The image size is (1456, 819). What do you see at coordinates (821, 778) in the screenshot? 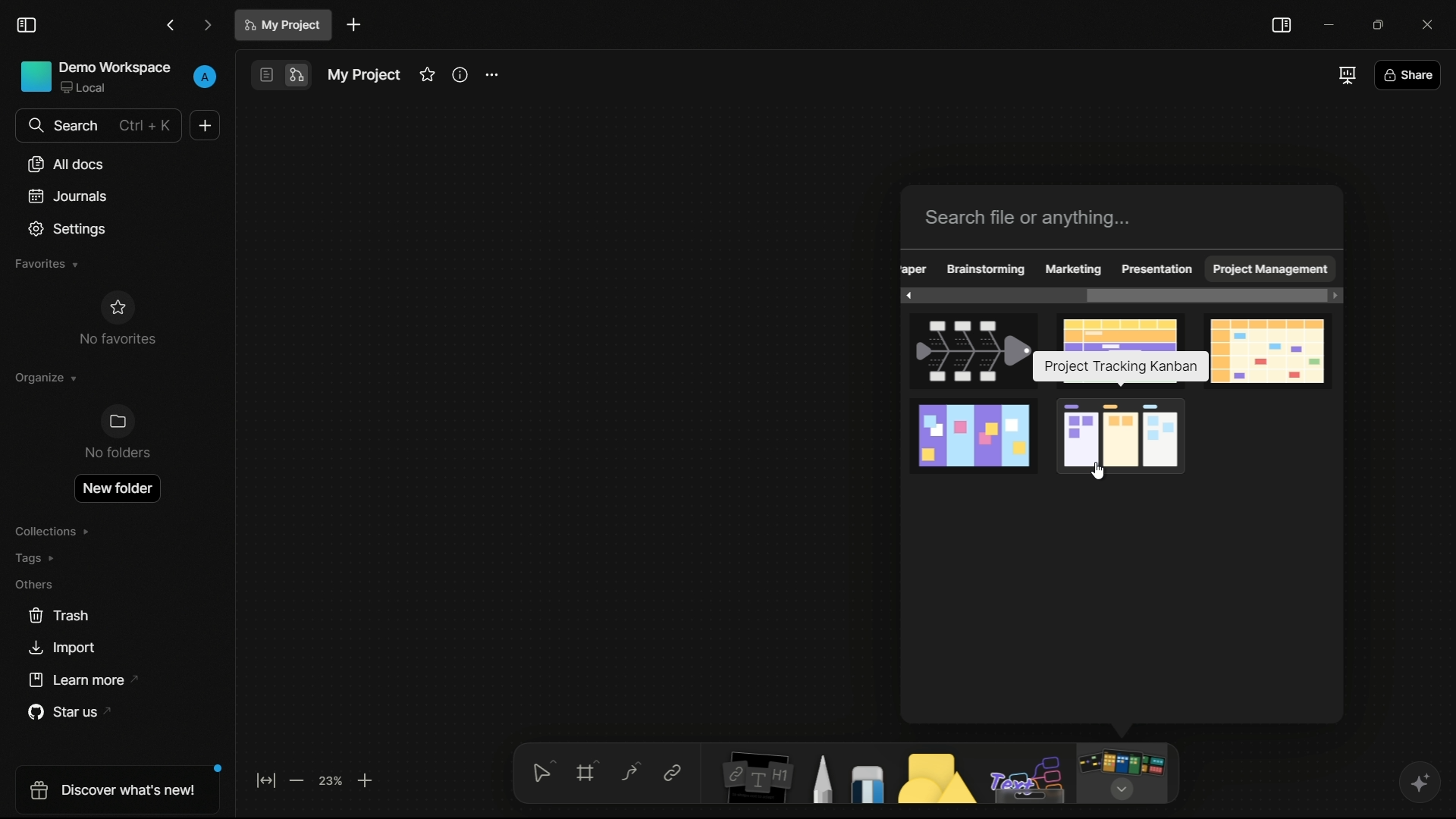
I see `pencil and pen` at bounding box center [821, 778].